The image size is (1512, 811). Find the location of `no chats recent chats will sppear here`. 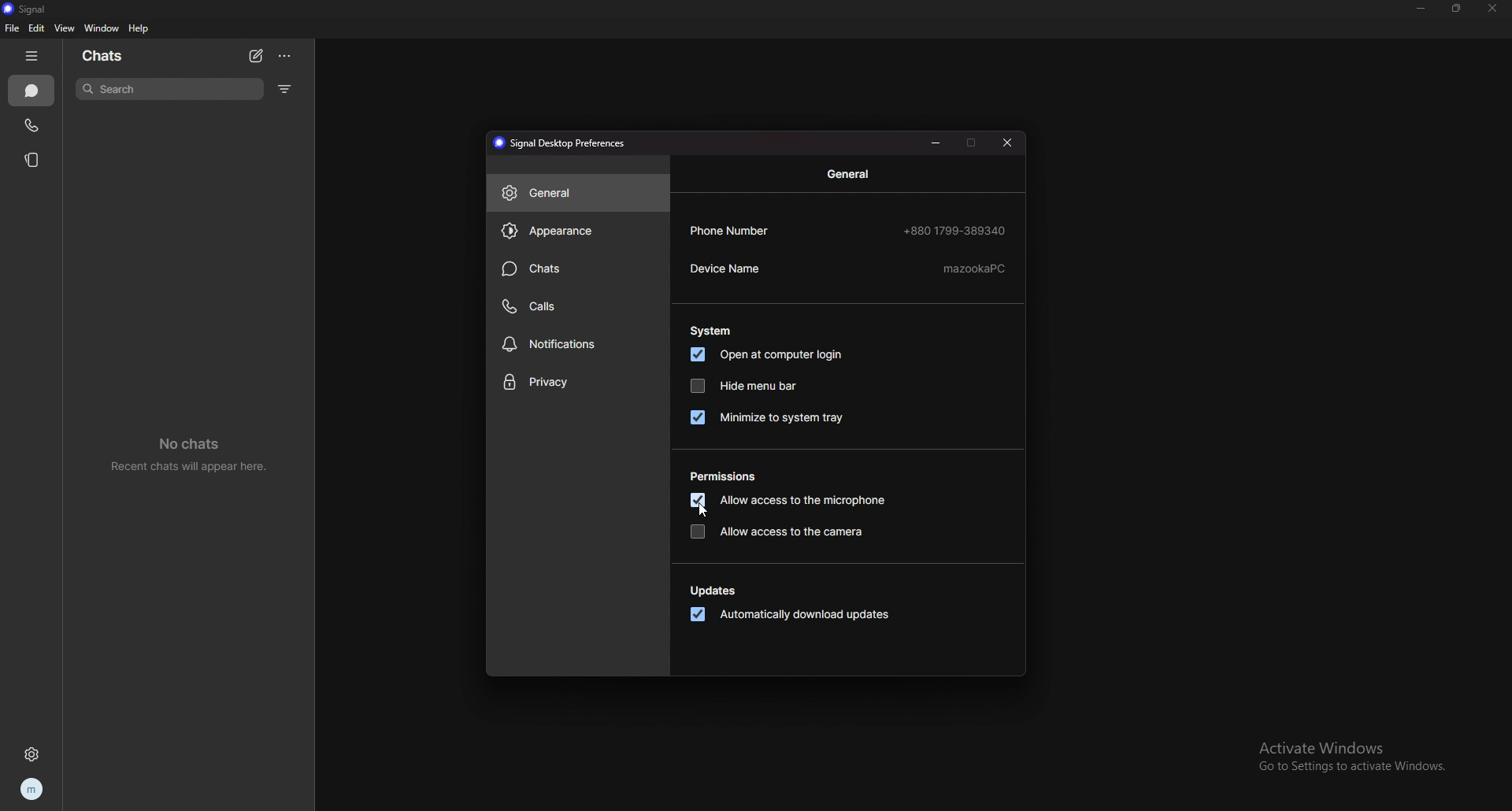

no chats recent chats will sppear here is located at coordinates (187, 454).